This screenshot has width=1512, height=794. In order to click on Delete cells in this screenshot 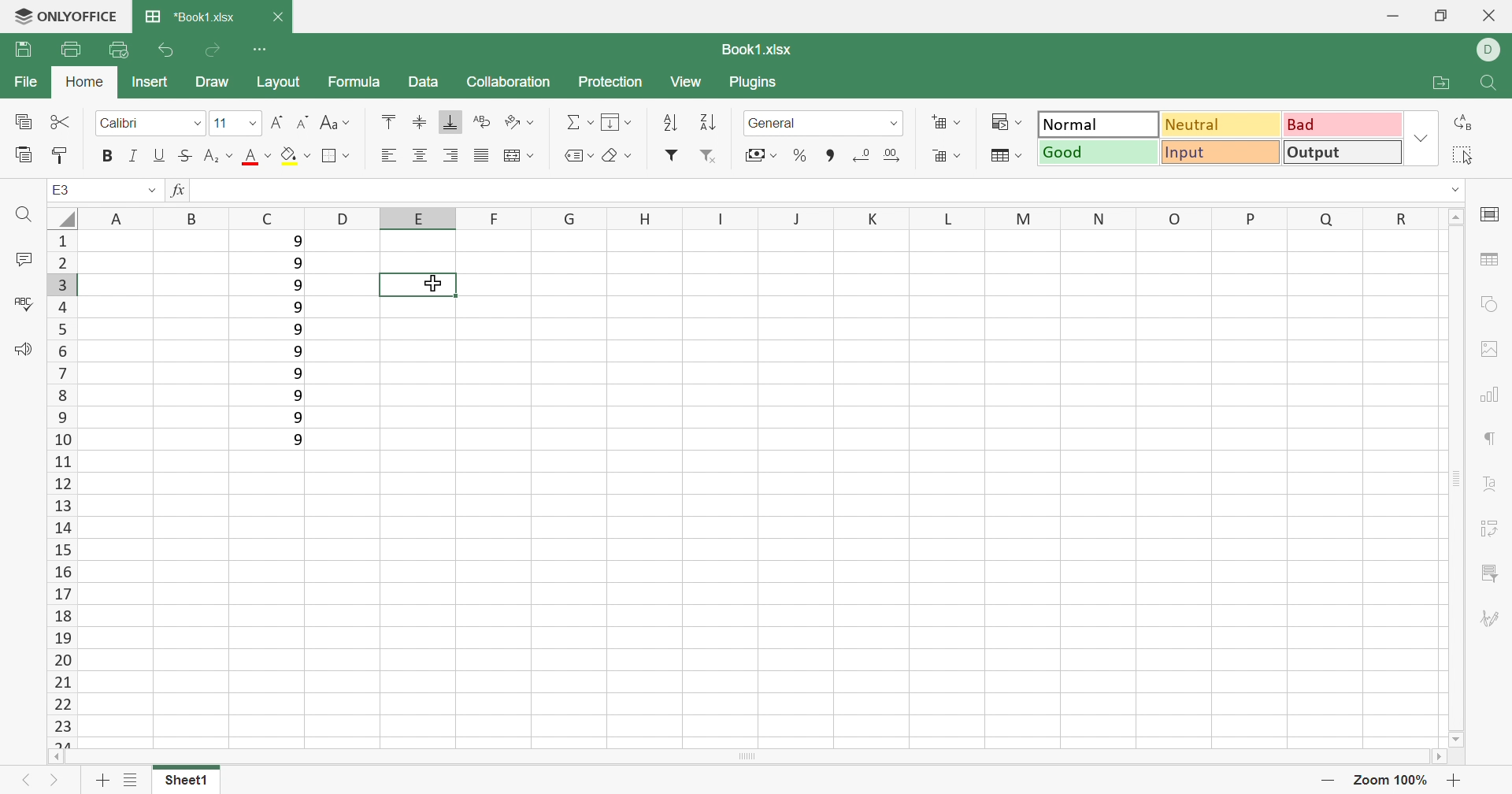, I will do `click(949, 155)`.